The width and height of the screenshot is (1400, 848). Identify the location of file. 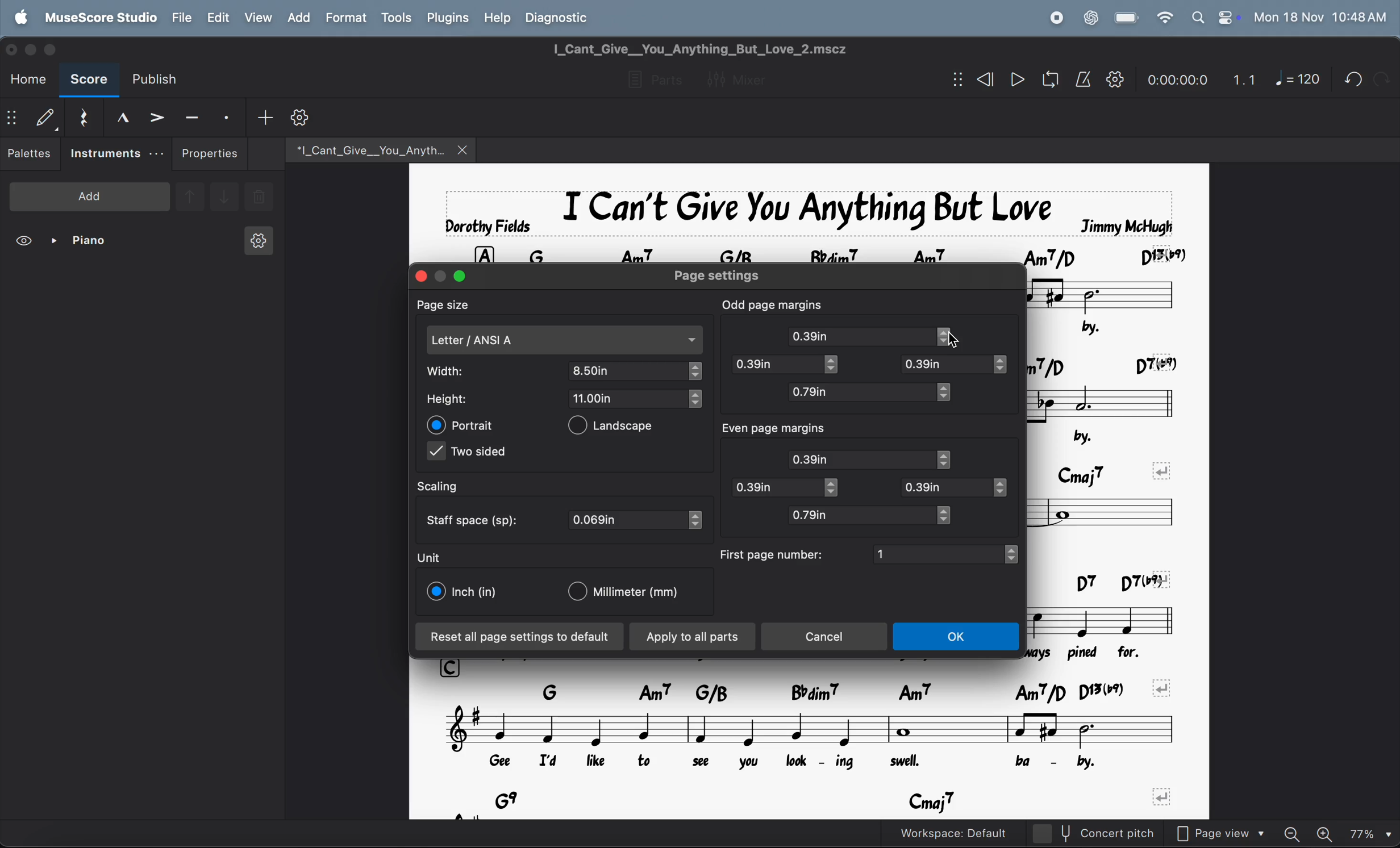
(182, 17).